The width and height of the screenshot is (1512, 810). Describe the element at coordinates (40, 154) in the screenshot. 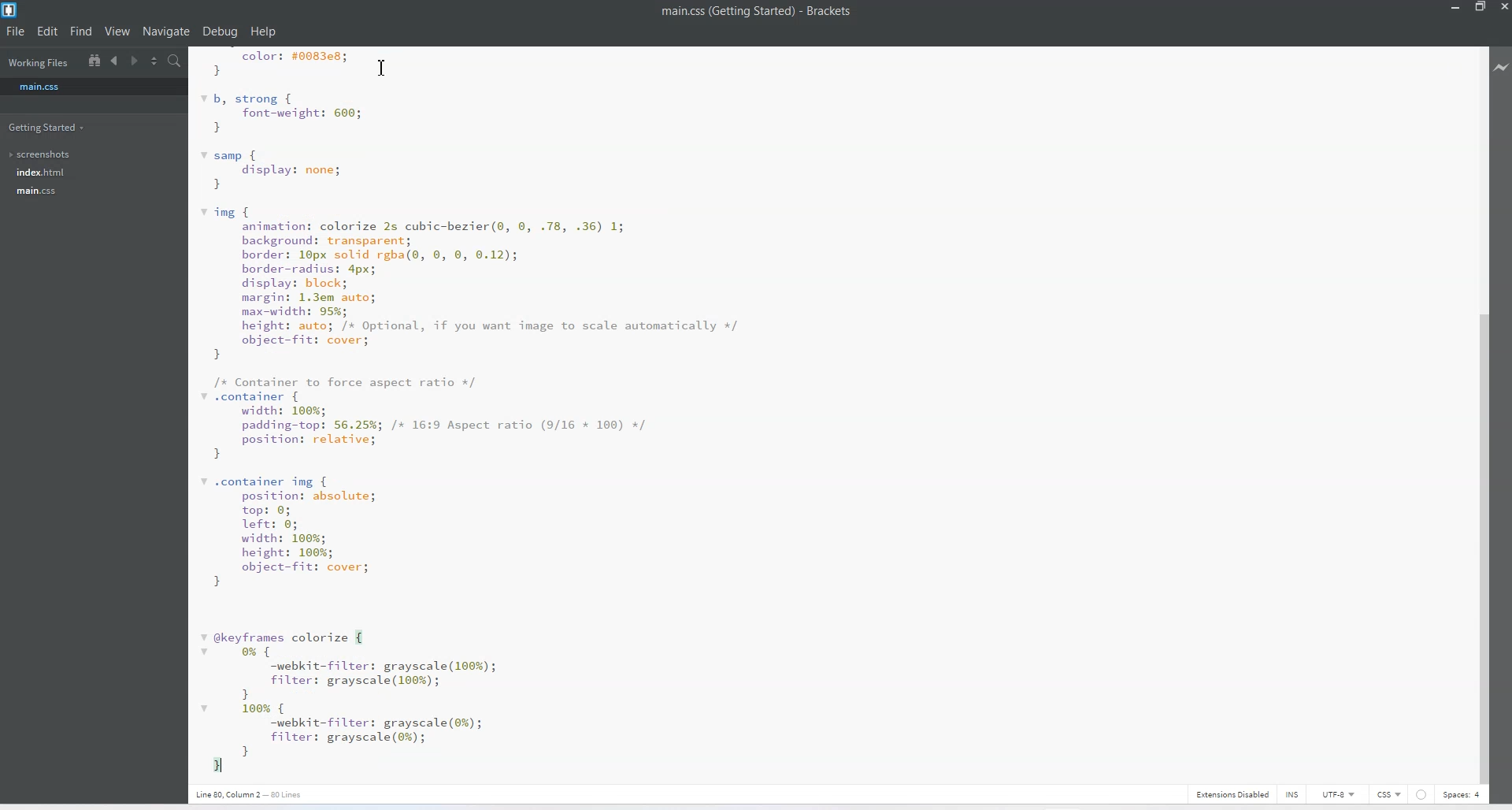

I see `screenshots` at that location.